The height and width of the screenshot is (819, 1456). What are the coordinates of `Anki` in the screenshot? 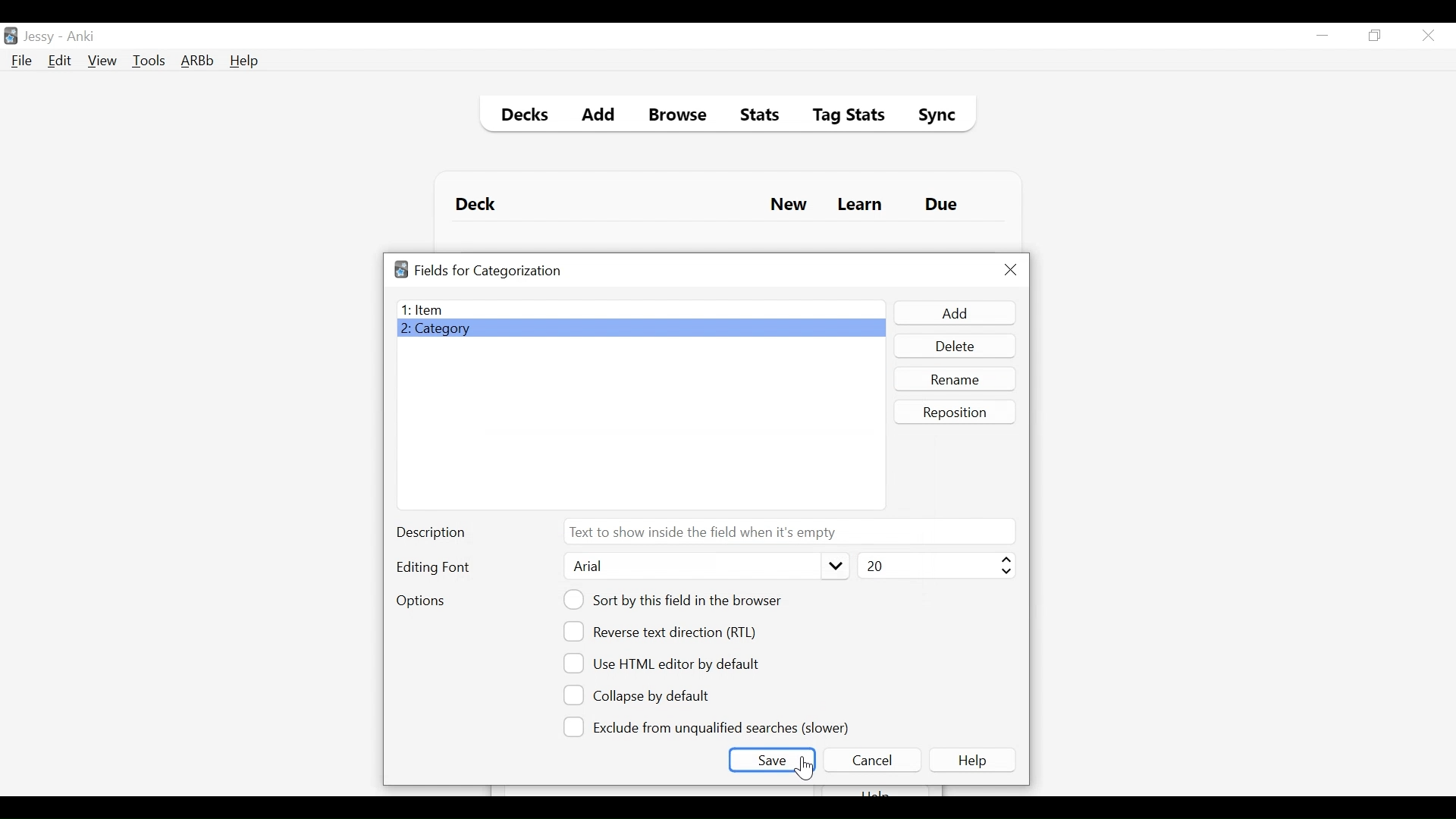 It's located at (81, 36).